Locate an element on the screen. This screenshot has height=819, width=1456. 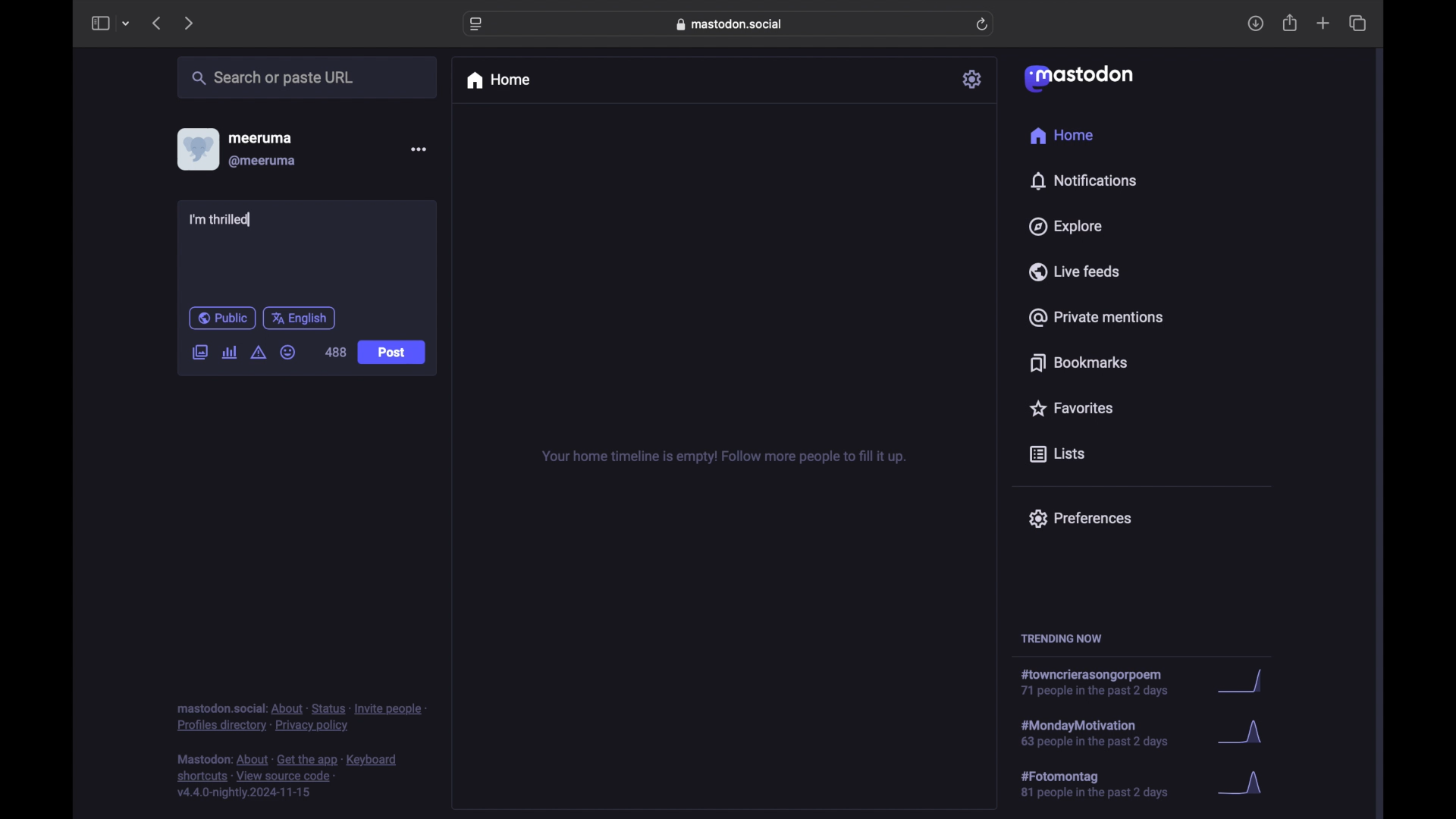
display picture is located at coordinates (196, 149).